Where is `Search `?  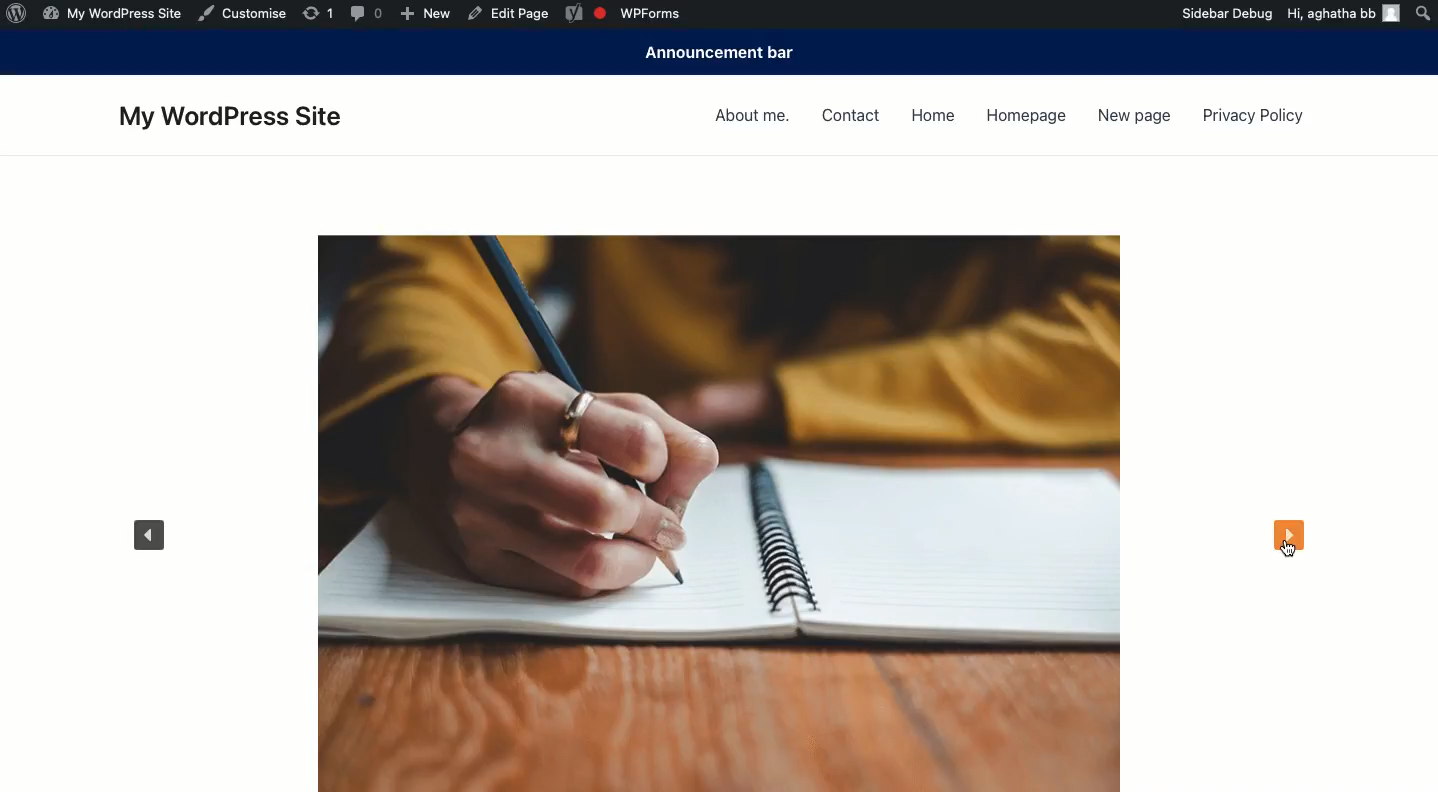
Search  is located at coordinates (1424, 11).